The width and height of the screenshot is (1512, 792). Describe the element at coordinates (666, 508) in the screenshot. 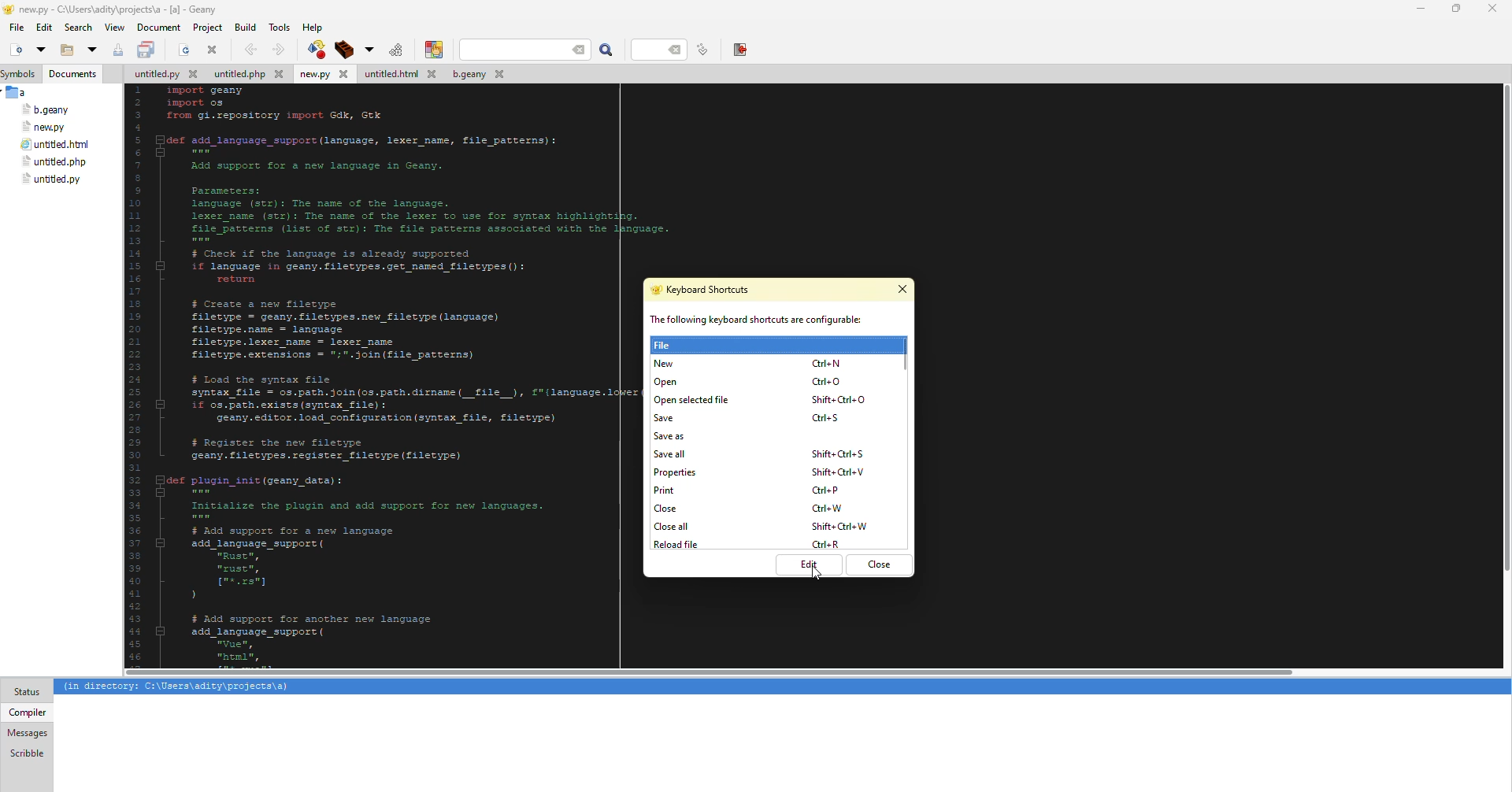

I see `close` at that location.